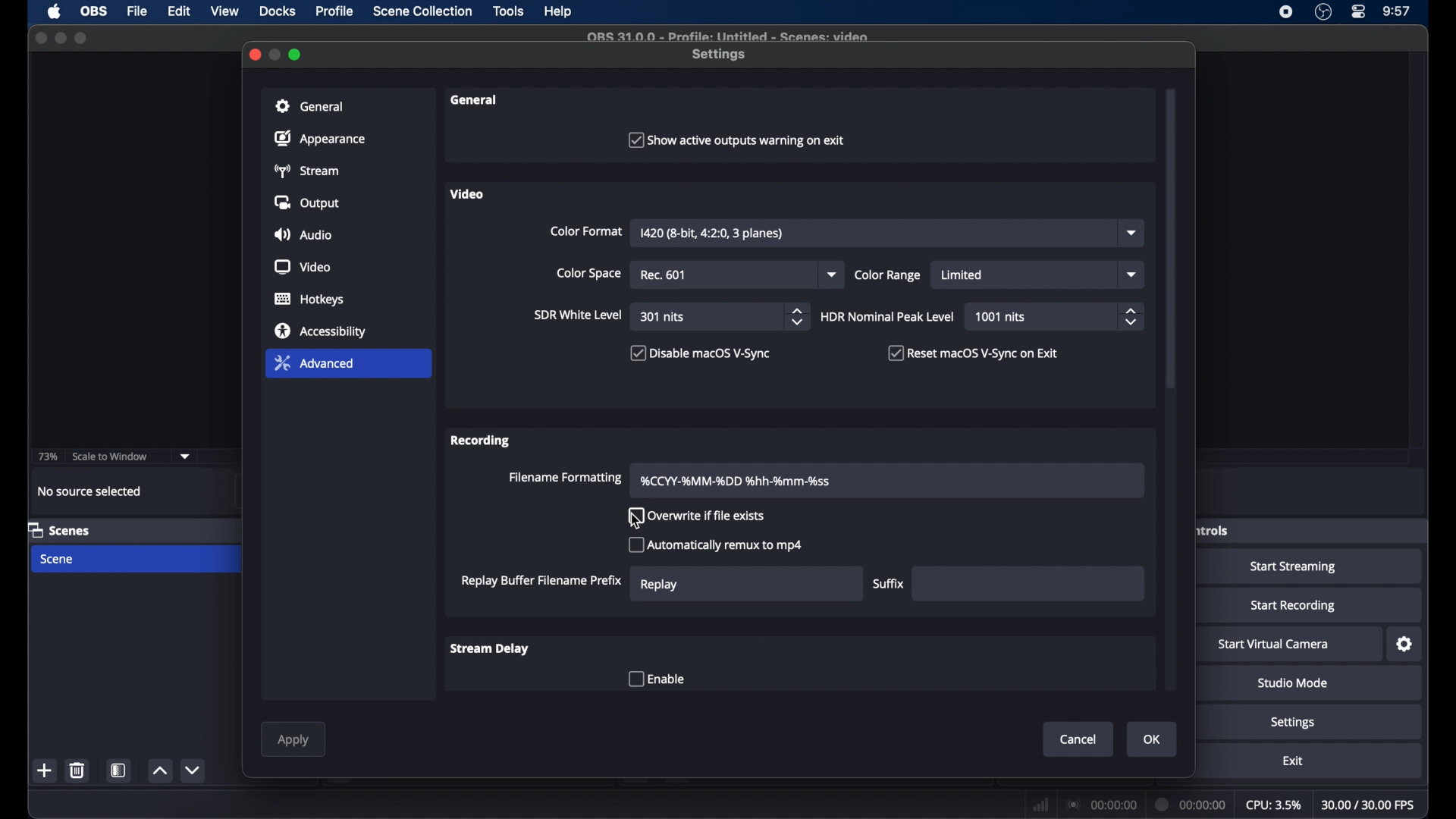 This screenshot has width=1456, height=819. Describe the element at coordinates (1001, 317) in the screenshot. I see `1001 nits` at that location.